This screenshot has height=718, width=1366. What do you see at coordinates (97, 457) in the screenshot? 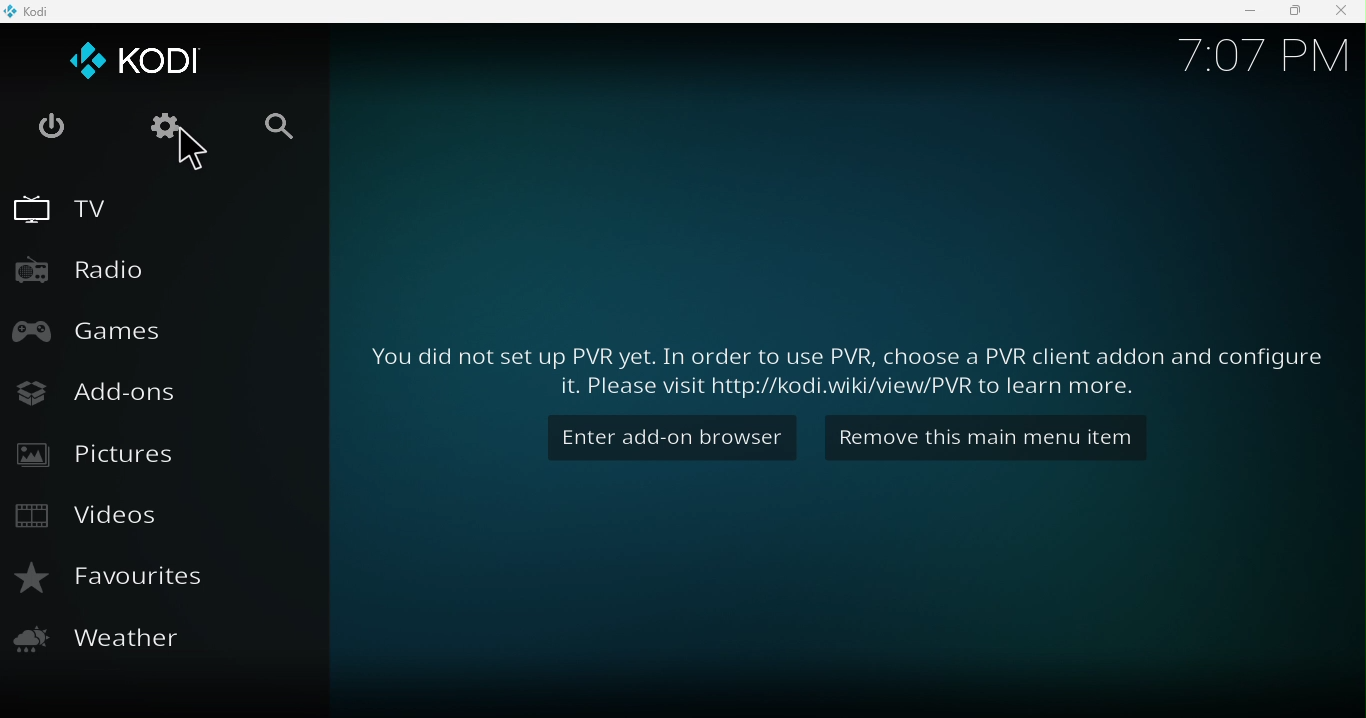
I see `Pictures` at bounding box center [97, 457].